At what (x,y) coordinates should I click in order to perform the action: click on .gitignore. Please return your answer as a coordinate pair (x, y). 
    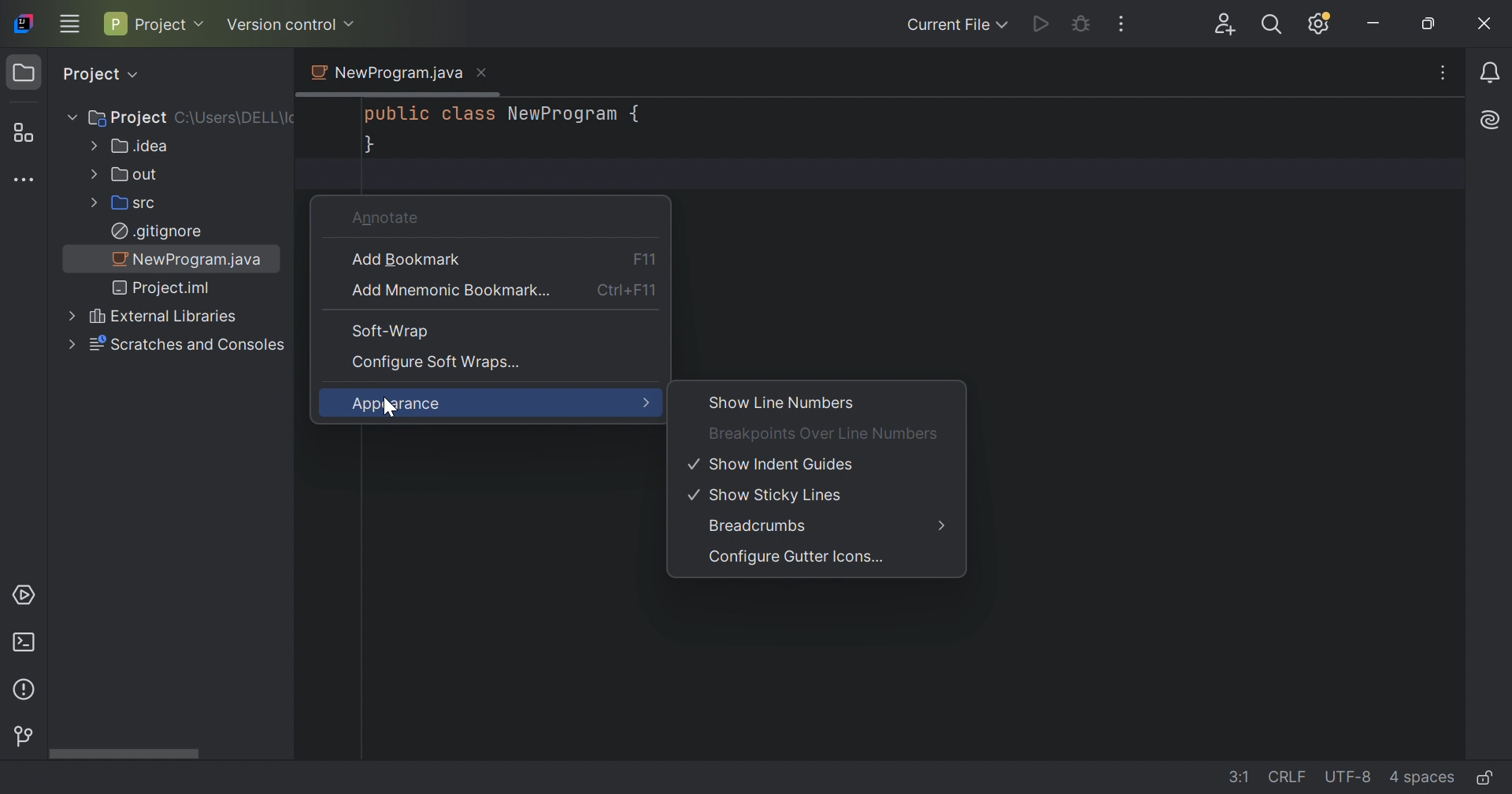
    Looking at the image, I should click on (157, 231).